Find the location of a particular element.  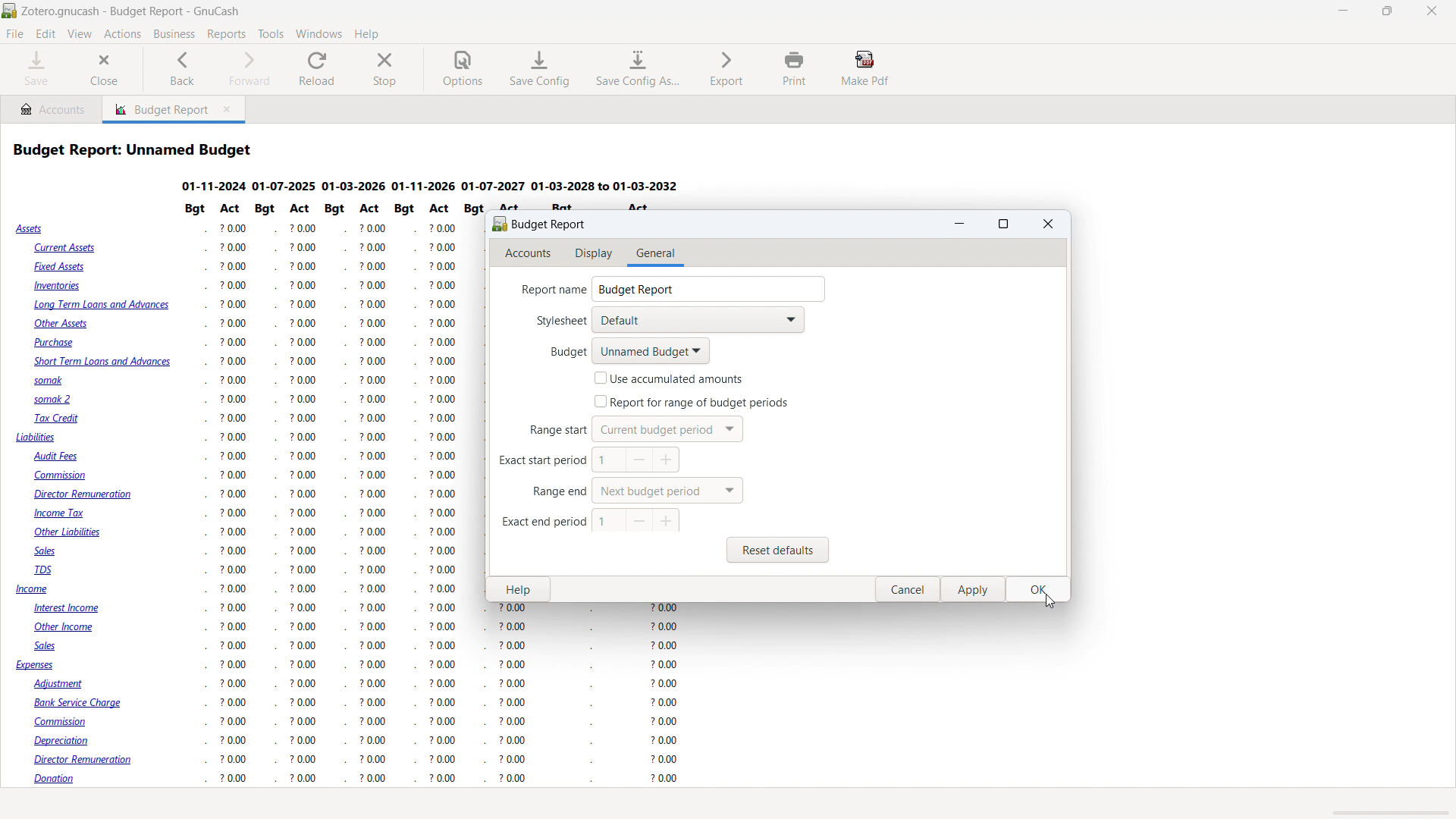

Range end is located at coordinates (555, 493).